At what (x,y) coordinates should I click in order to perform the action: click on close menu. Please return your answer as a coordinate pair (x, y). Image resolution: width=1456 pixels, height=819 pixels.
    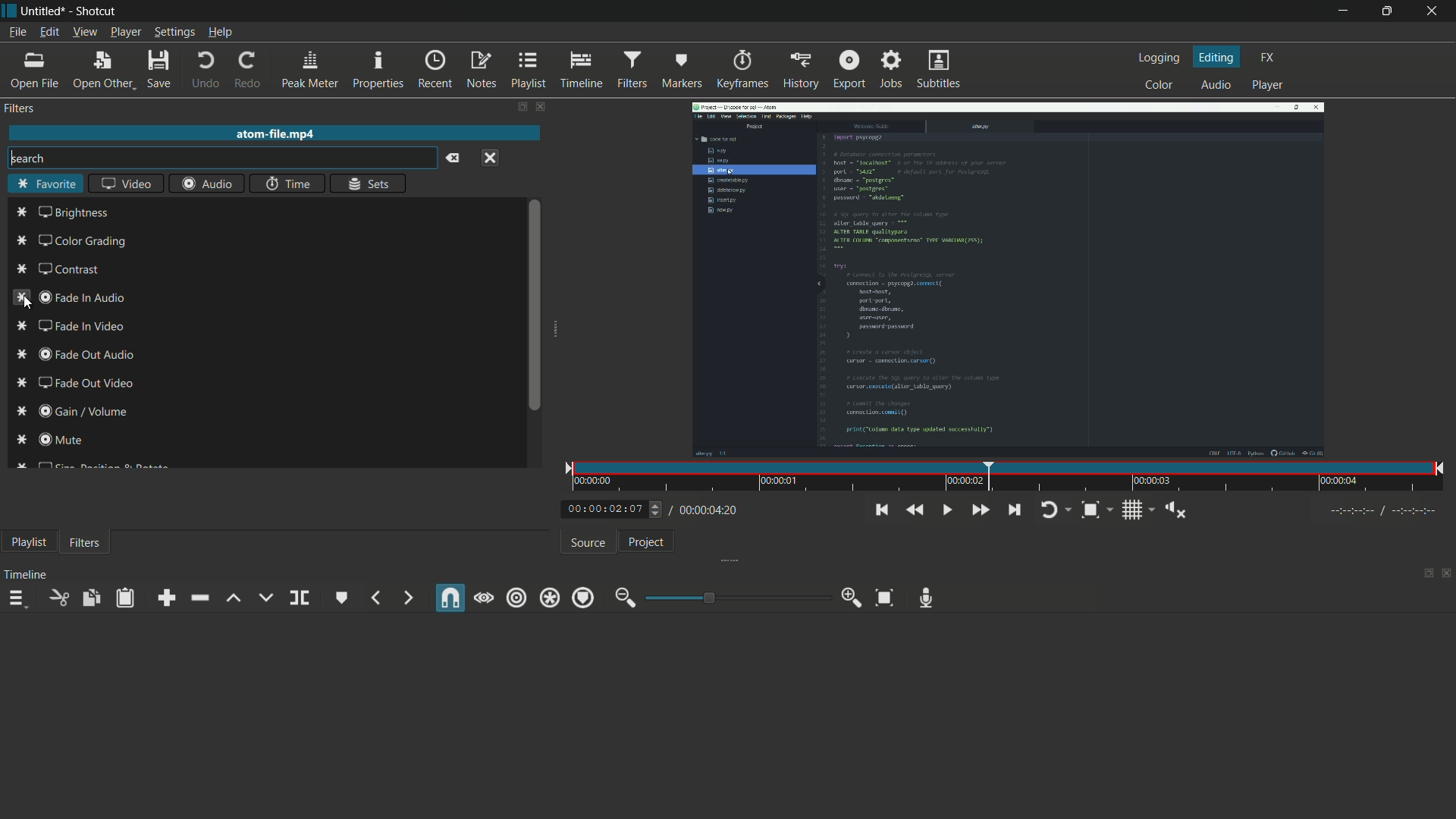
    Looking at the image, I should click on (491, 158).